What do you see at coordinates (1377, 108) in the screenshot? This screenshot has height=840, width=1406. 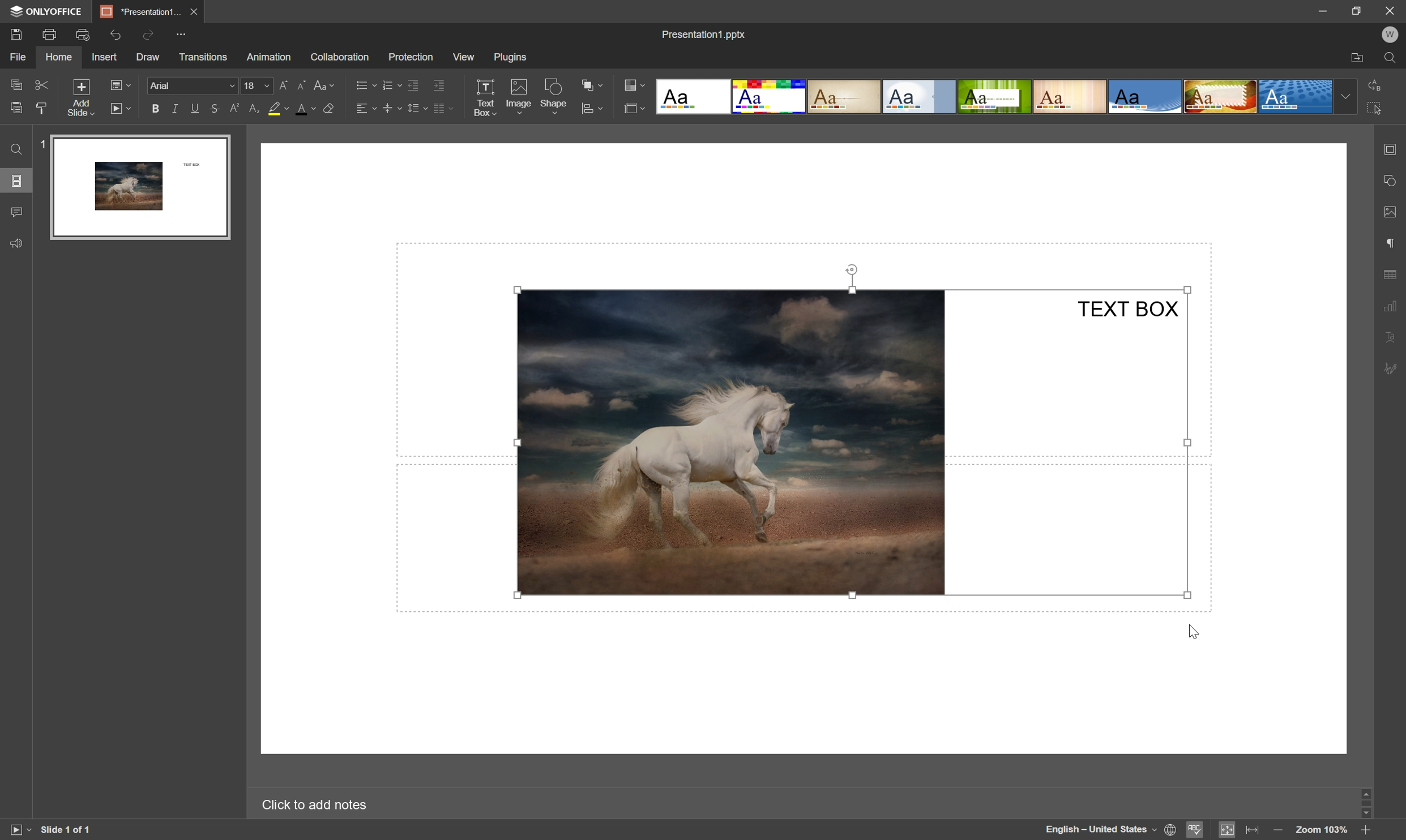 I see `select all` at bounding box center [1377, 108].